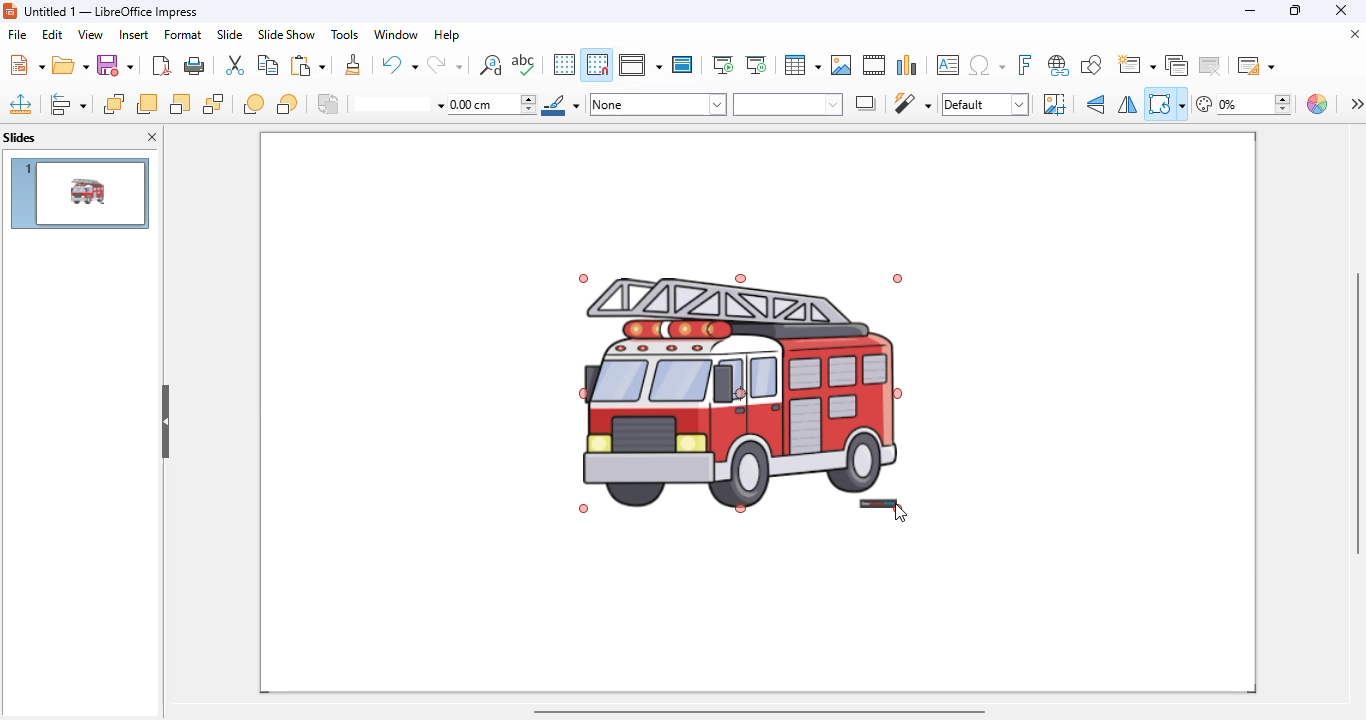  What do you see at coordinates (111, 12) in the screenshot?
I see `title` at bounding box center [111, 12].